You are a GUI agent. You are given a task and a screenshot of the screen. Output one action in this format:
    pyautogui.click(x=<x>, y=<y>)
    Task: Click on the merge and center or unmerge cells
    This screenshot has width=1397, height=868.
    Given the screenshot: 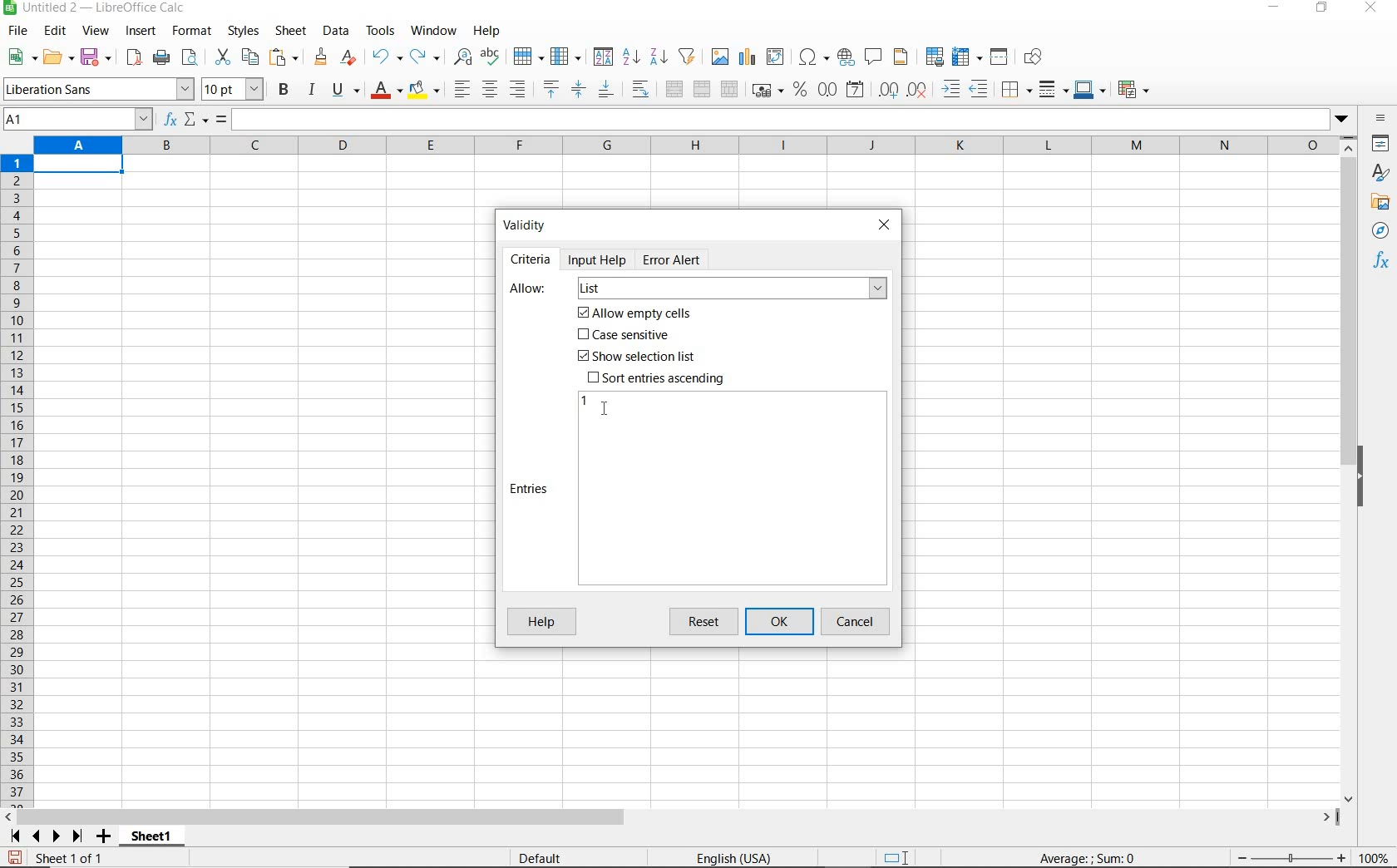 What is the action you would take?
    pyautogui.click(x=674, y=90)
    